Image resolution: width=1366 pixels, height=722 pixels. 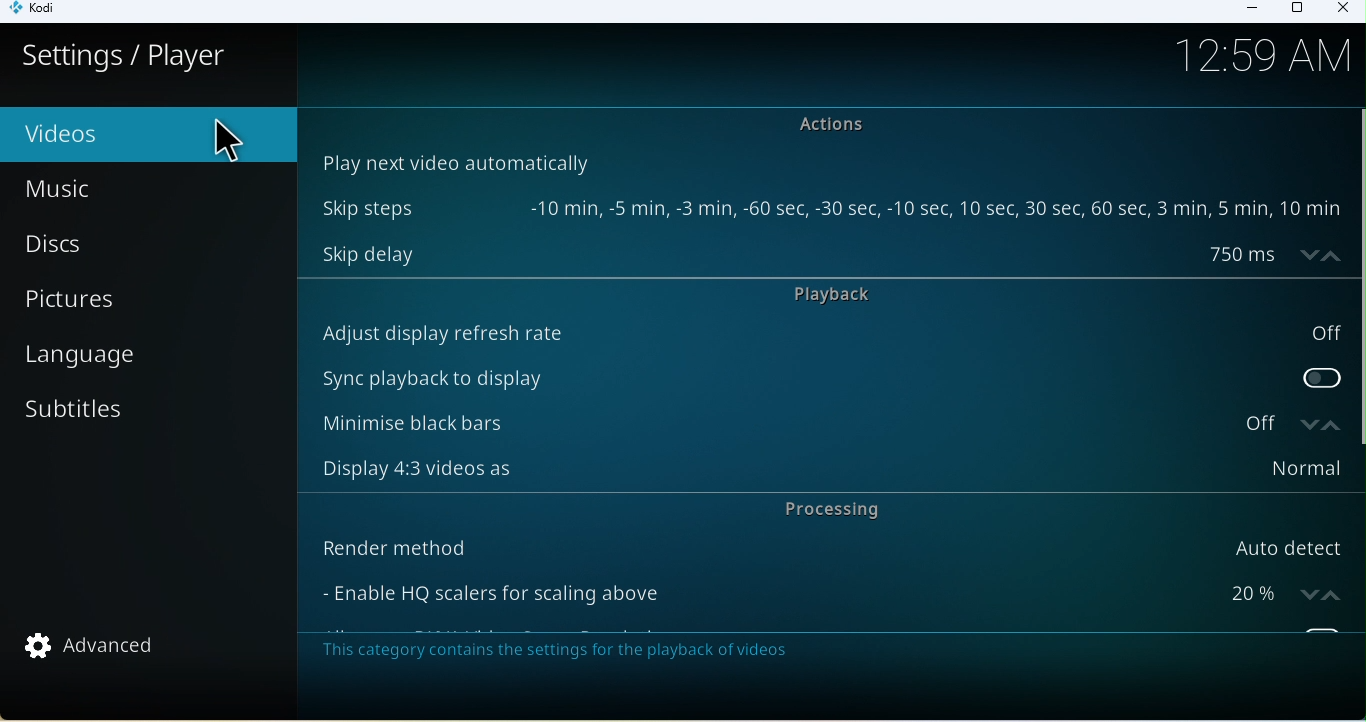 I want to click on Processing, so click(x=826, y=510).